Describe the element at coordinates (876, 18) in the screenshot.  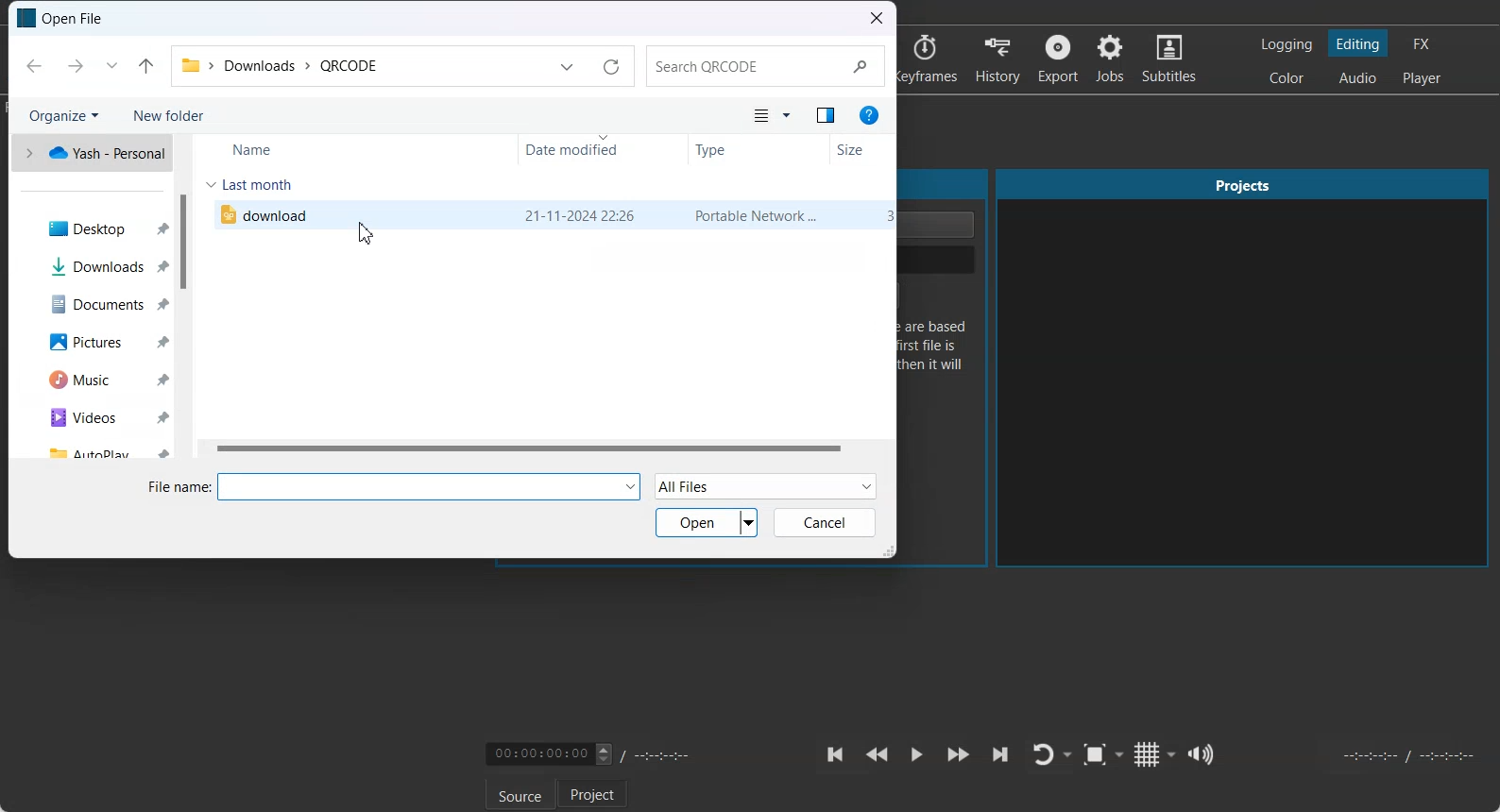
I see `Close` at that location.